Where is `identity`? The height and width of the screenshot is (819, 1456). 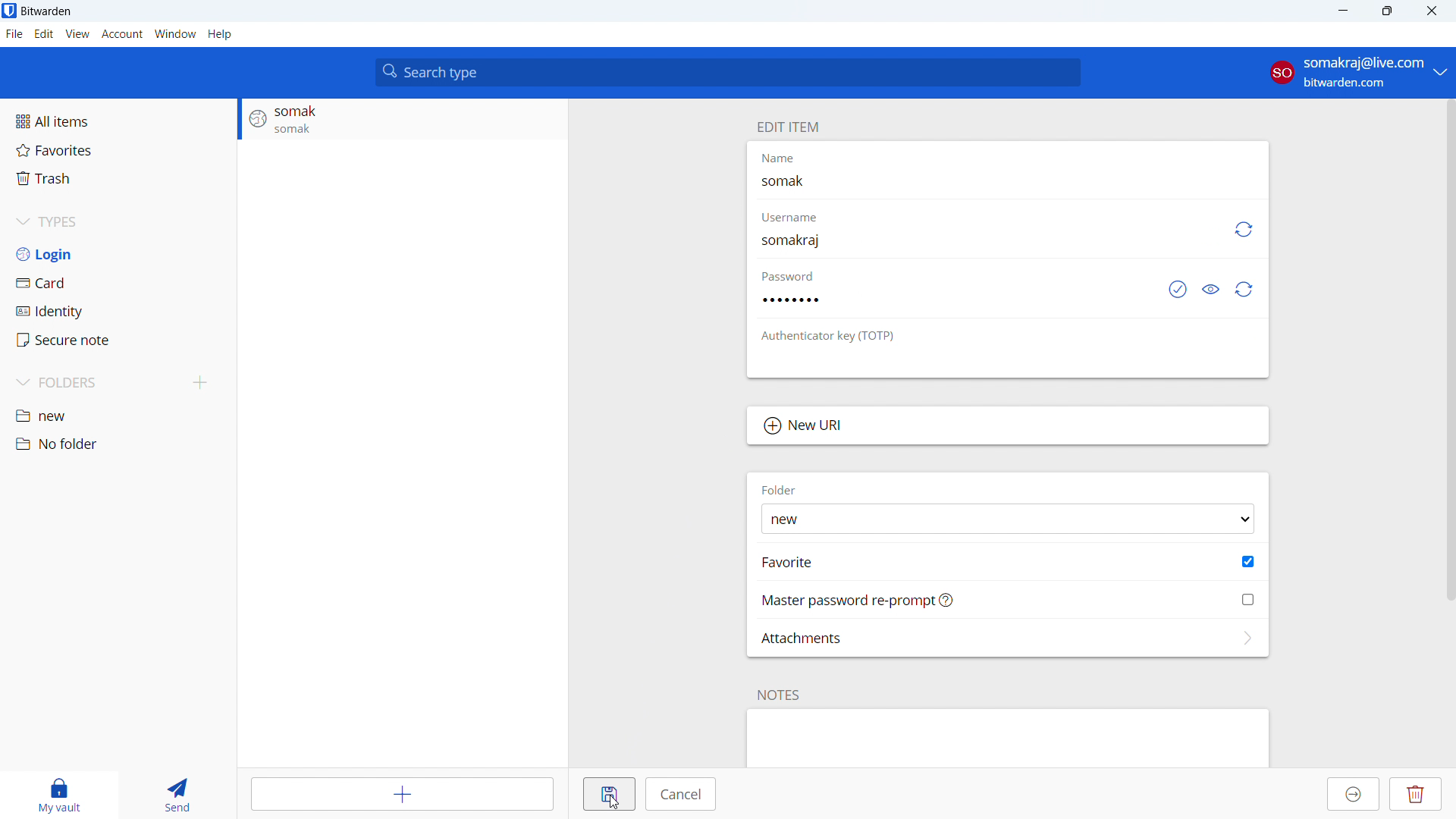
identity is located at coordinates (118, 311).